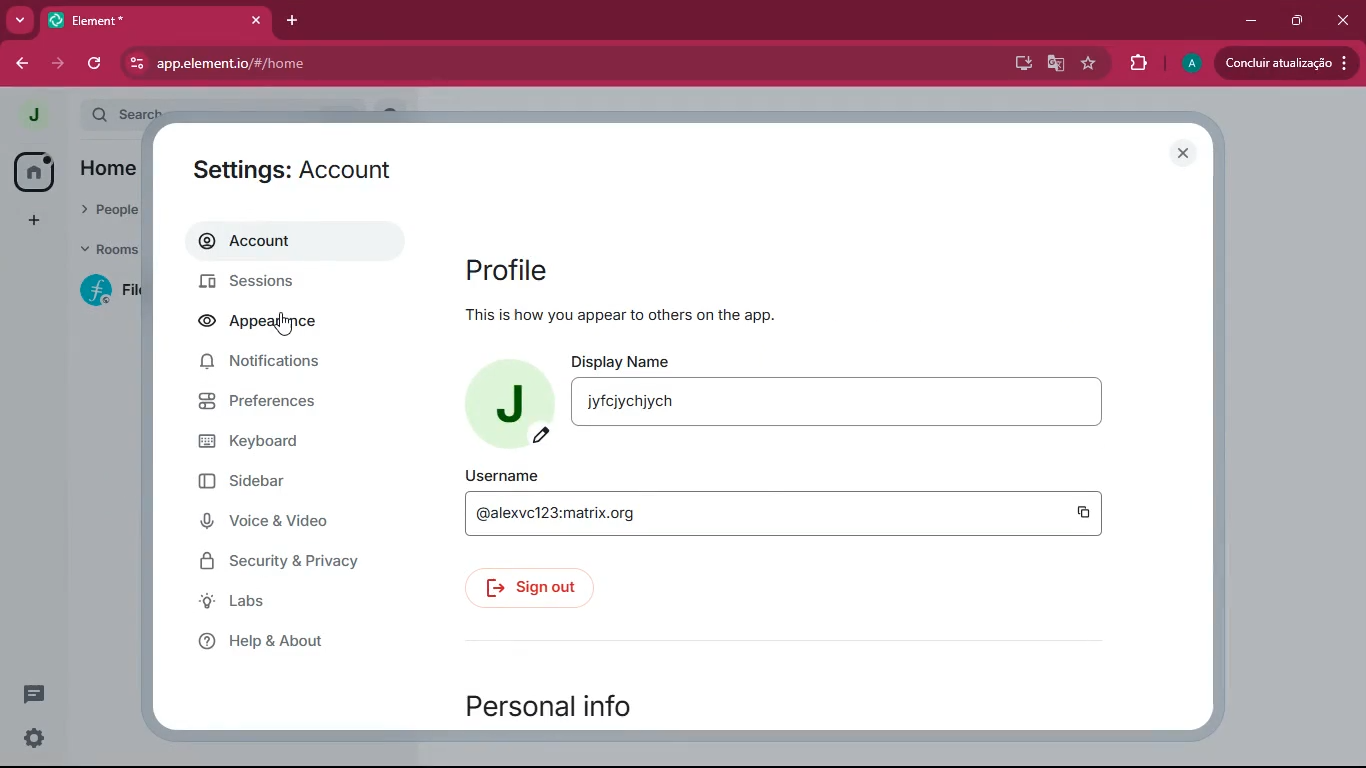  What do you see at coordinates (30, 739) in the screenshot?
I see `settings` at bounding box center [30, 739].